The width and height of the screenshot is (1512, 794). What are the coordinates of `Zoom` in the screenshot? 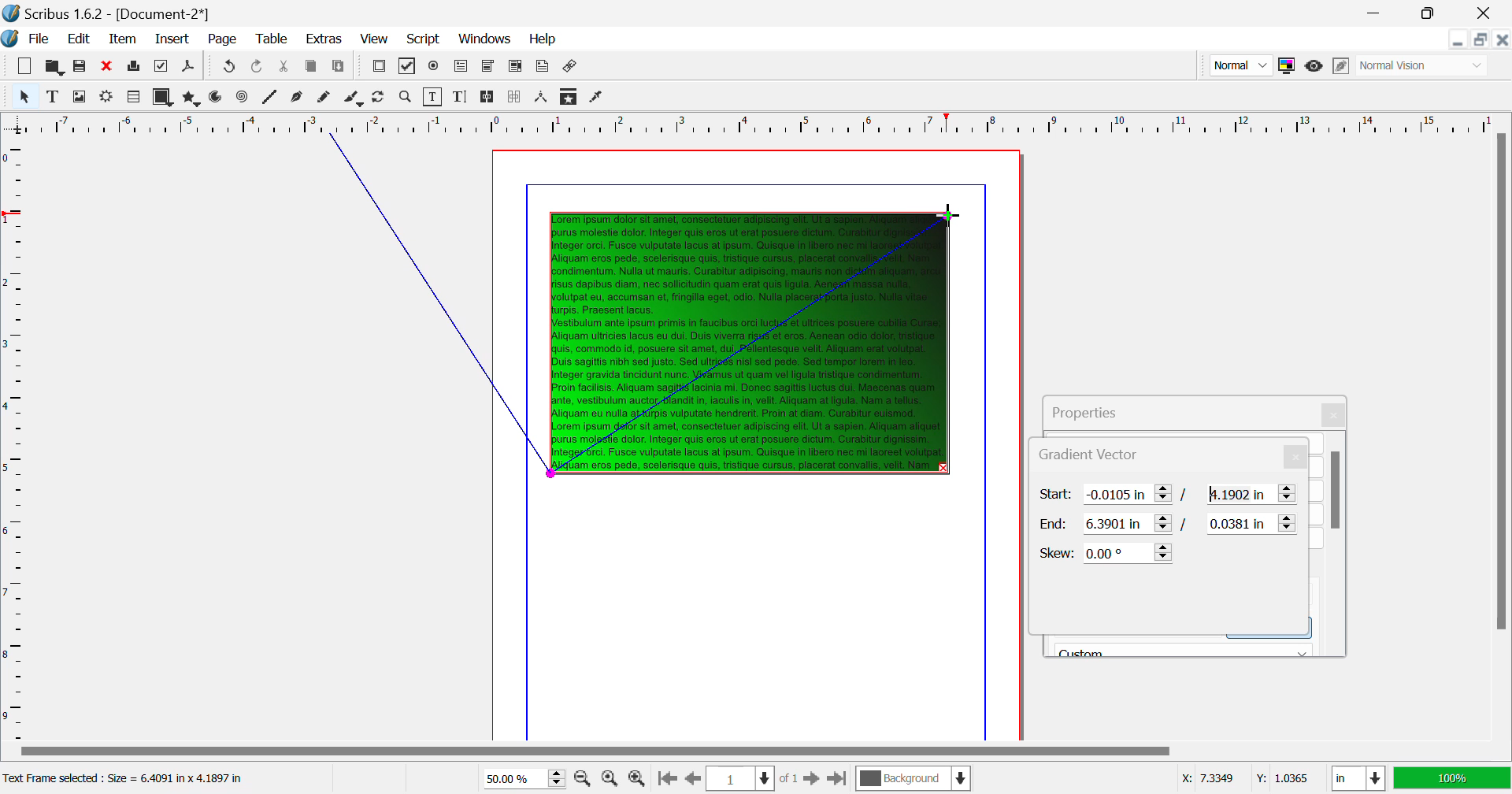 It's located at (406, 97).